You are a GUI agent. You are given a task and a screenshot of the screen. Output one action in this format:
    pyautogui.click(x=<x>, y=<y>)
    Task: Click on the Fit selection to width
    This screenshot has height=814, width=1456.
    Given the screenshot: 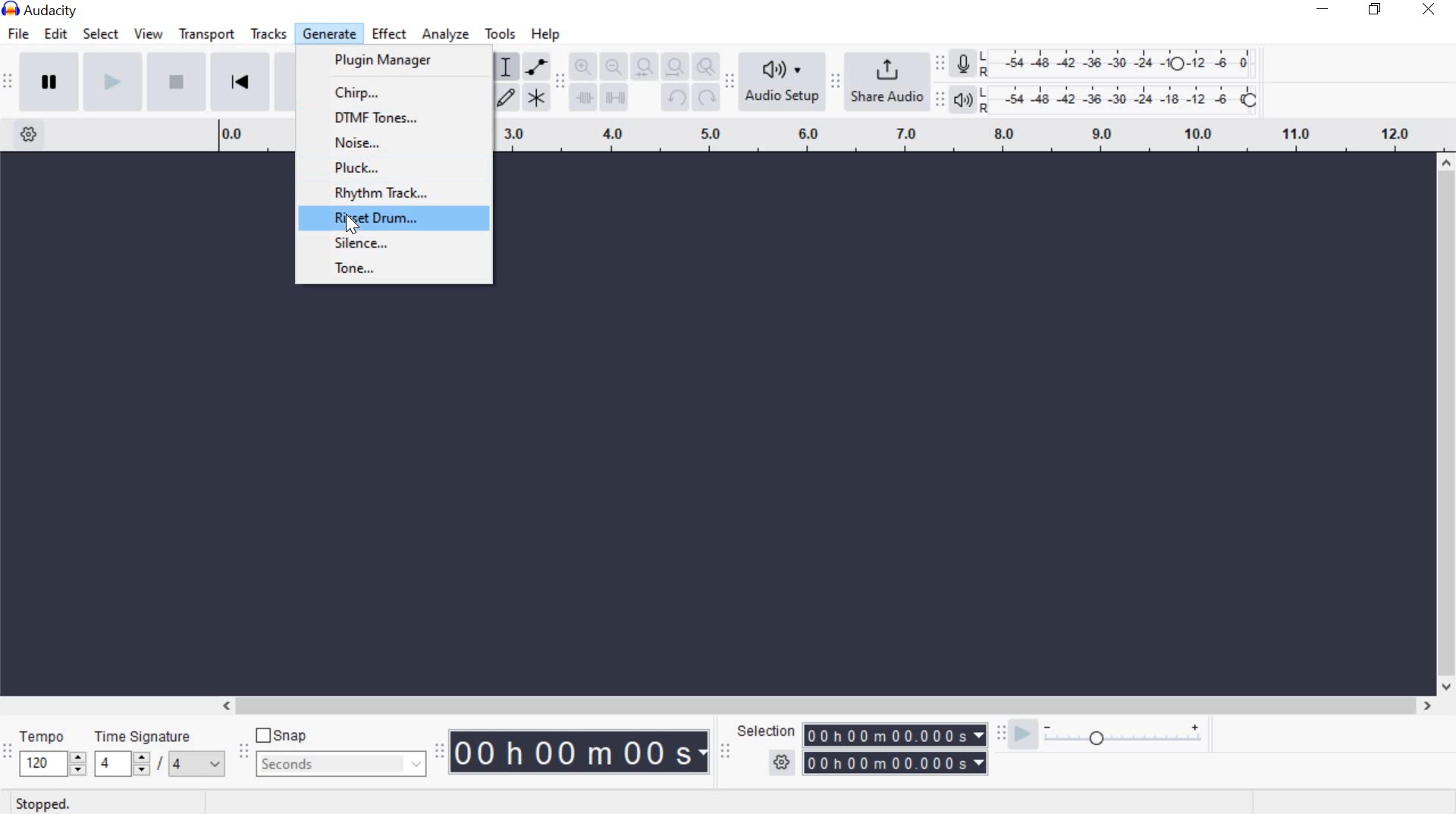 What is the action you would take?
    pyautogui.click(x=641, y=65)
    